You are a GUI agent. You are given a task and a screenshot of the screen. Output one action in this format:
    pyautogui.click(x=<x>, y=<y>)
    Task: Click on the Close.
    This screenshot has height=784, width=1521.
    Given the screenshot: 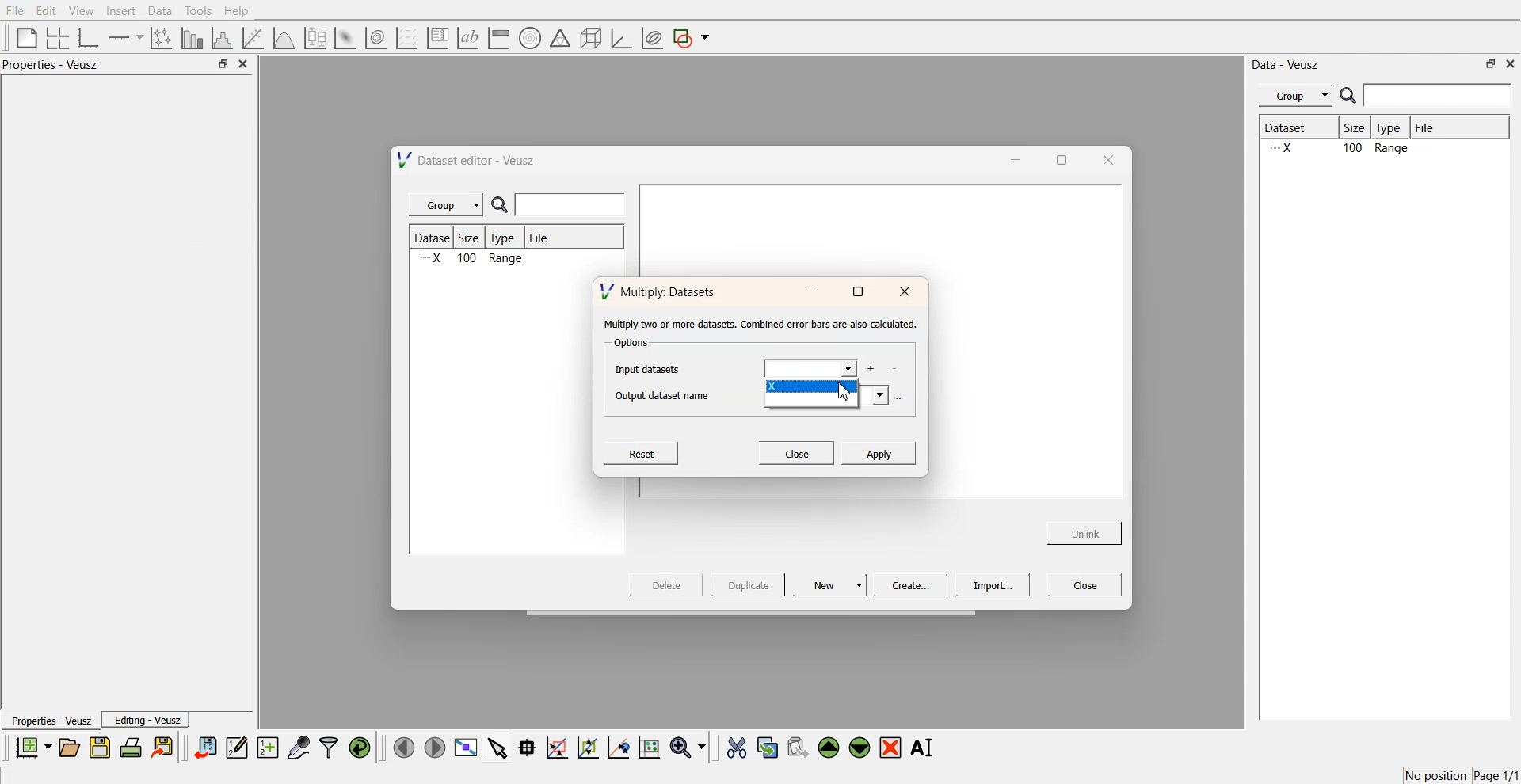 What is the action you would take?
    pyautogui.click(x=797, y=452)
    